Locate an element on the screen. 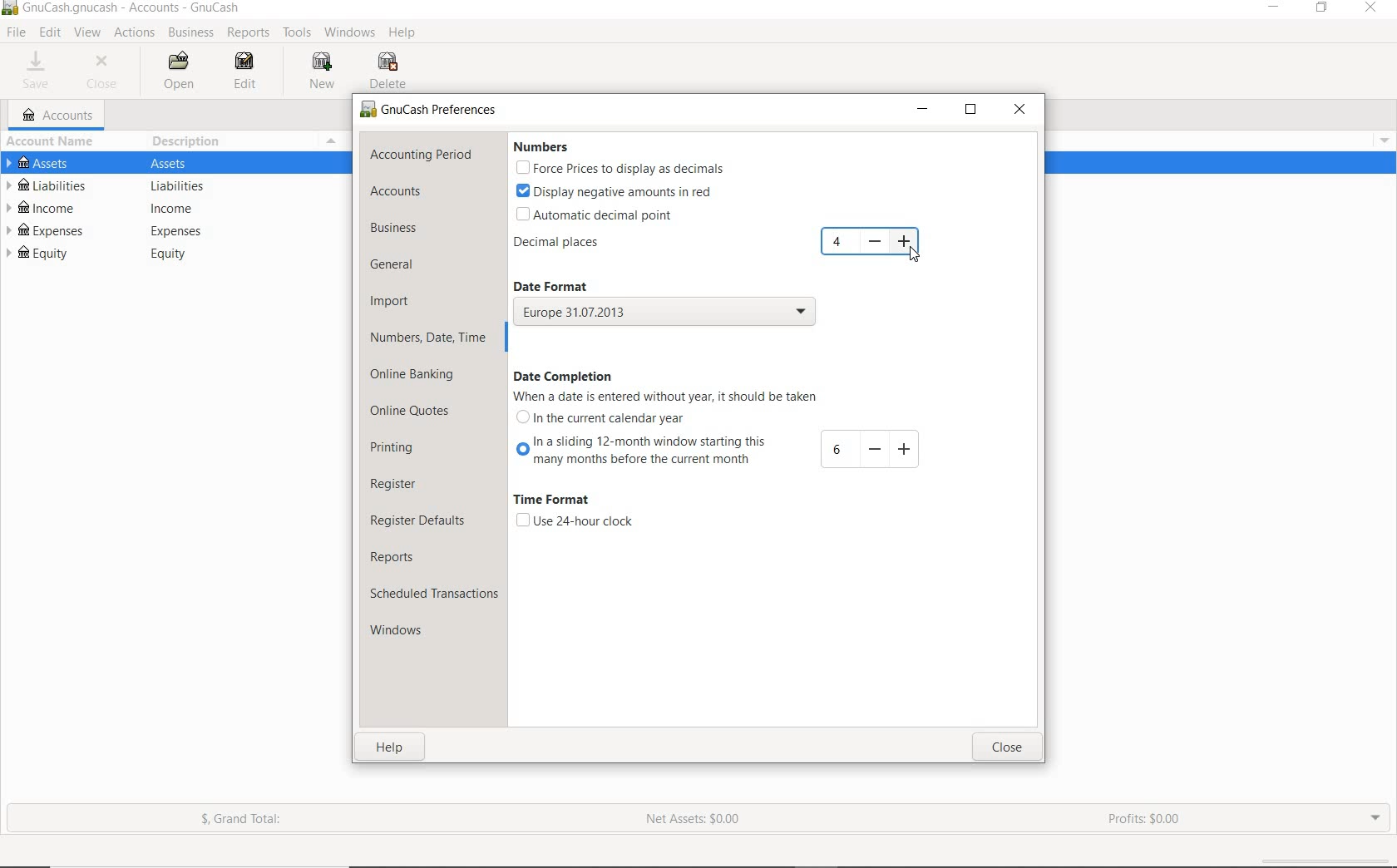  ACCOUNT NAME is located at coordinates (53, 141).